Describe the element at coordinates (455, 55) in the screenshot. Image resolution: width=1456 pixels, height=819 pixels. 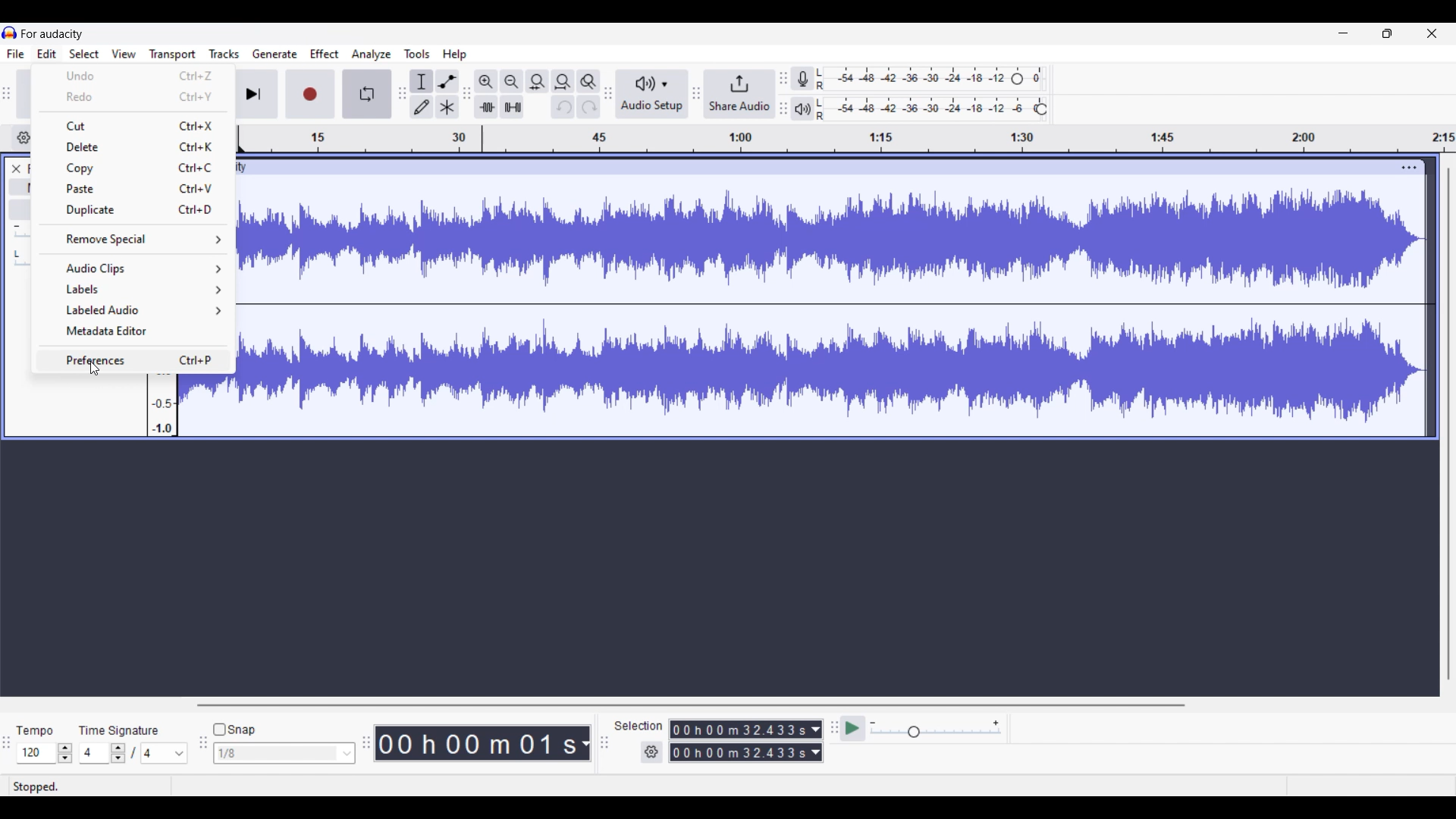
I see `Help menu` at that location.